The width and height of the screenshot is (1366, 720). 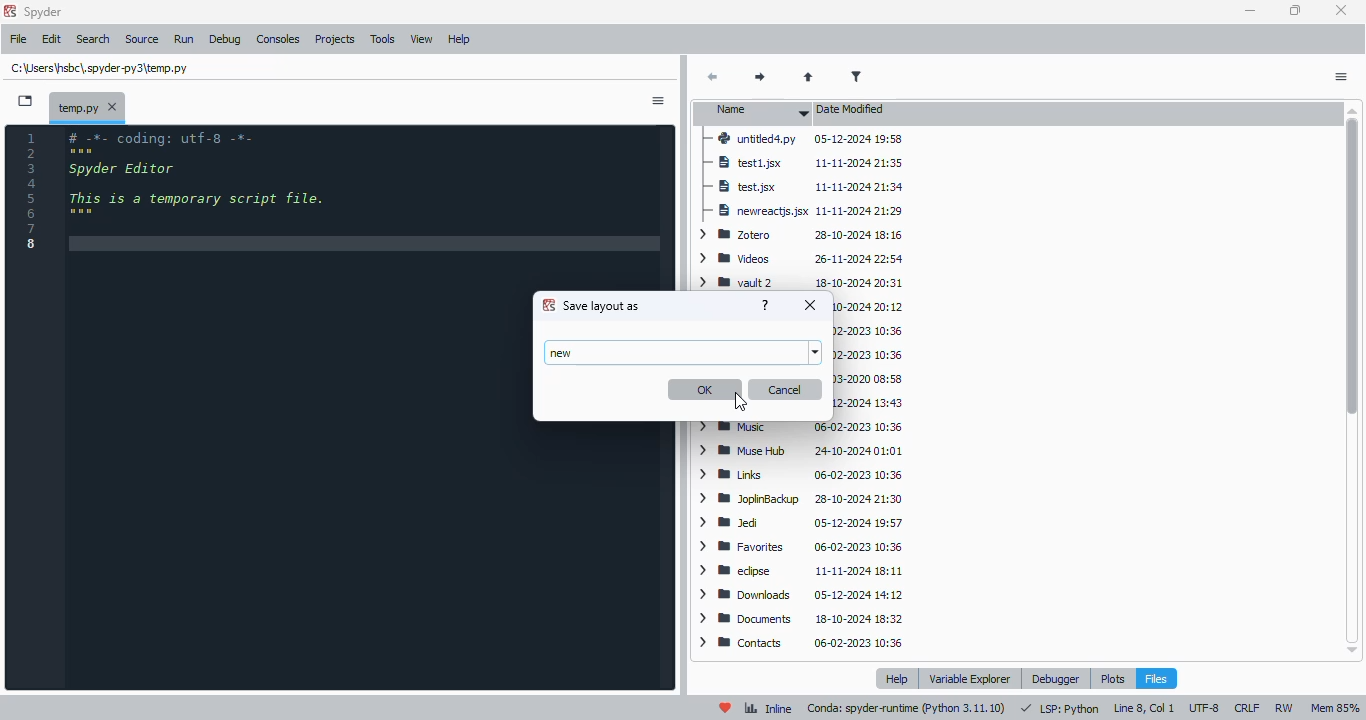 What do you see at coordinates (802, 594) in the screenshot?
I see `downloads` at bounding box center [802, 594].